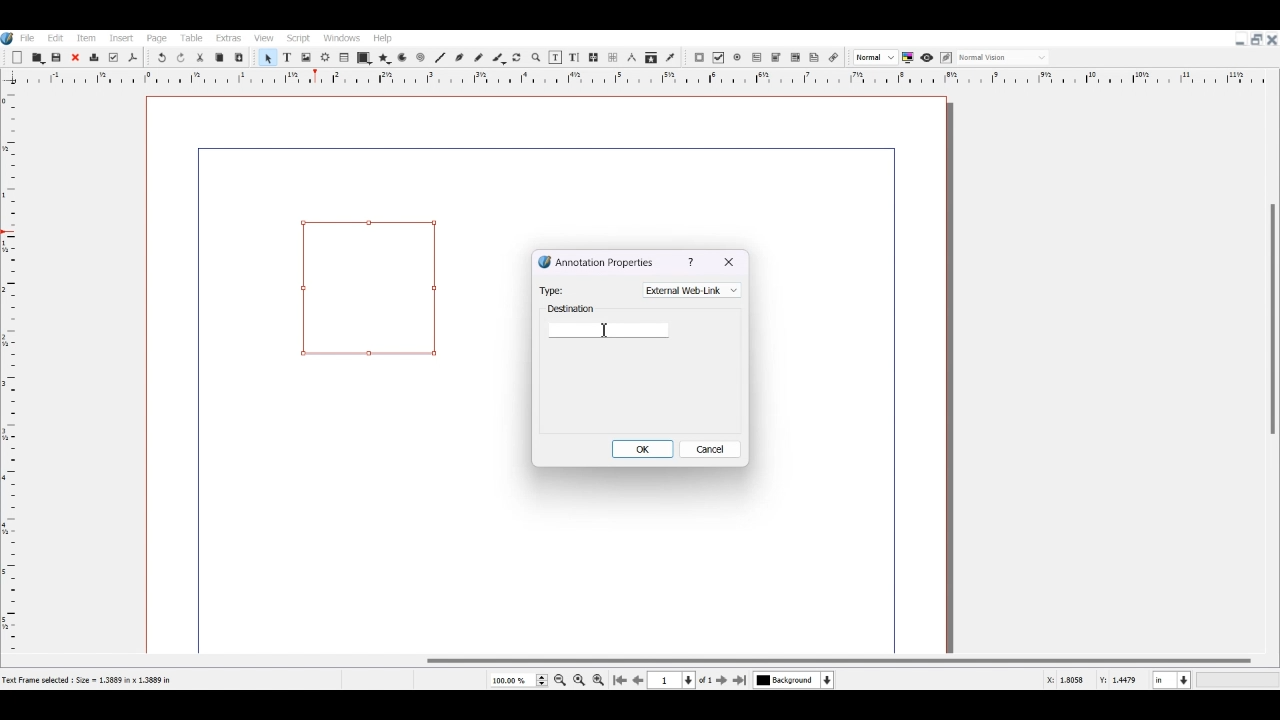 This screenshot has width=1280, height=720. Describe the element at coordinates (420, 58) in the screenshot. I see `Spiral` at that location.